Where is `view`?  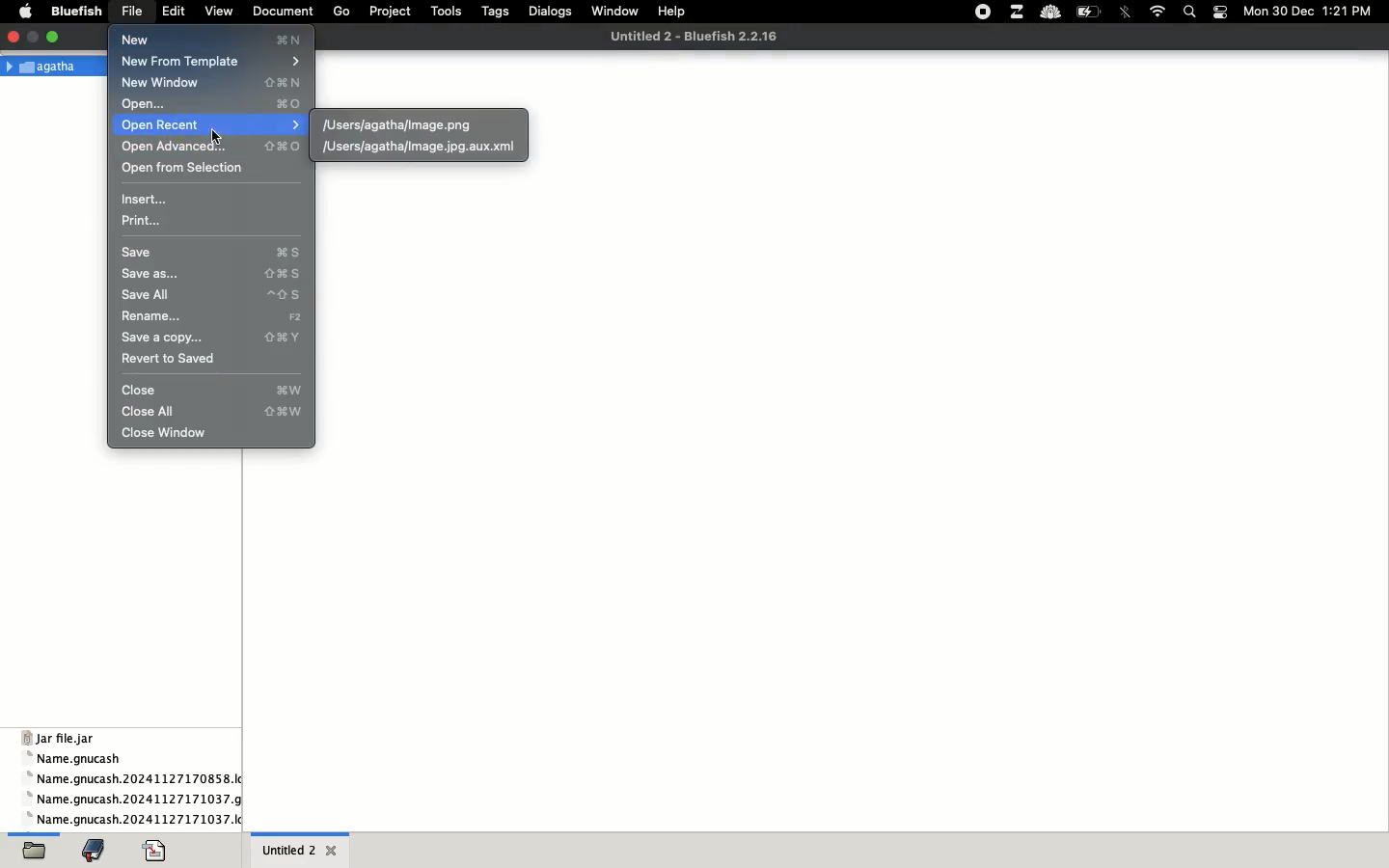
view is located at coordinates (221, 13).